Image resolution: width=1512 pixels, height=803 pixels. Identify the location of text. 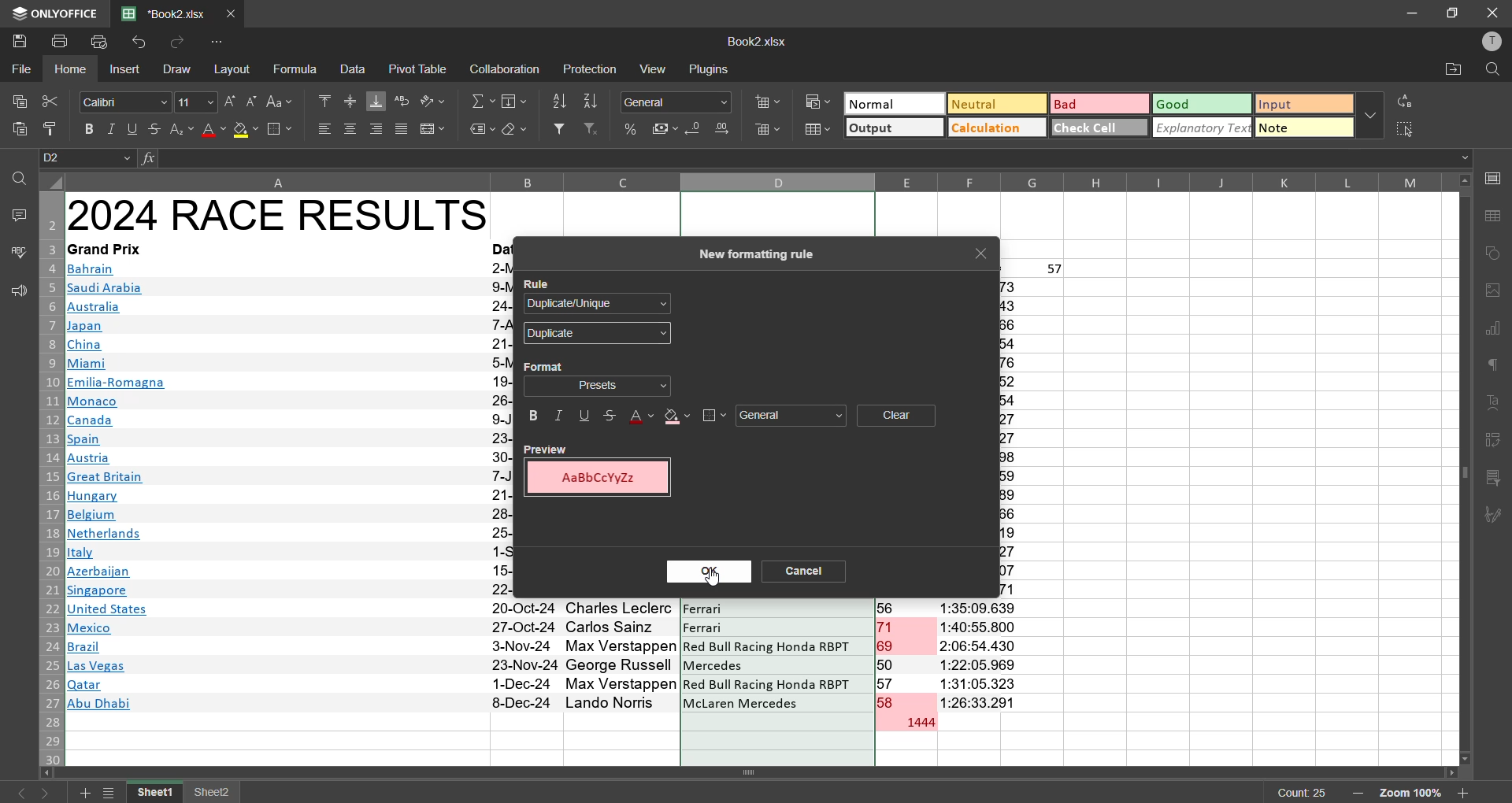
(1495, 404).